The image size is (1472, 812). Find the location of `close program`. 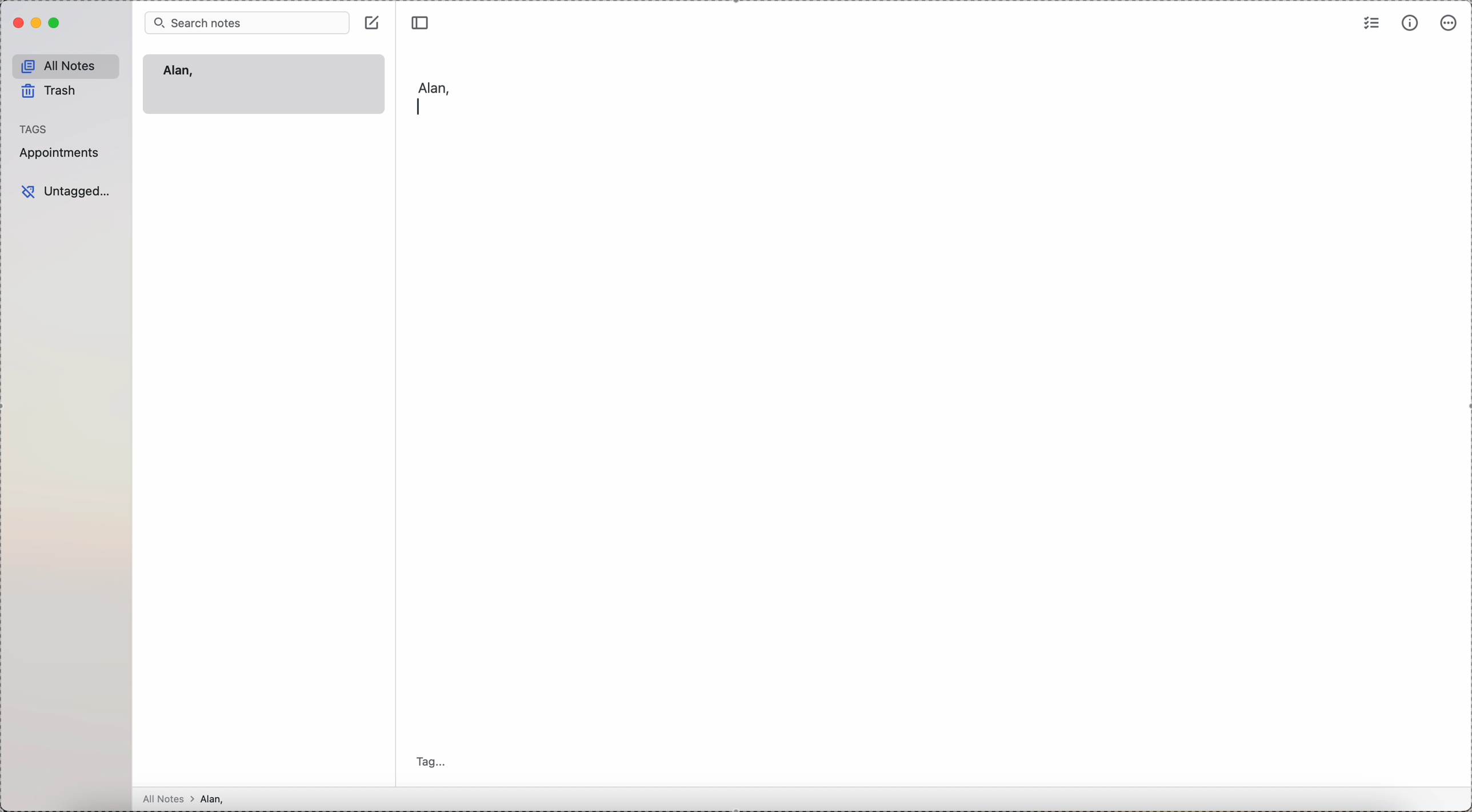

close program is located at coordinates (17, 23).